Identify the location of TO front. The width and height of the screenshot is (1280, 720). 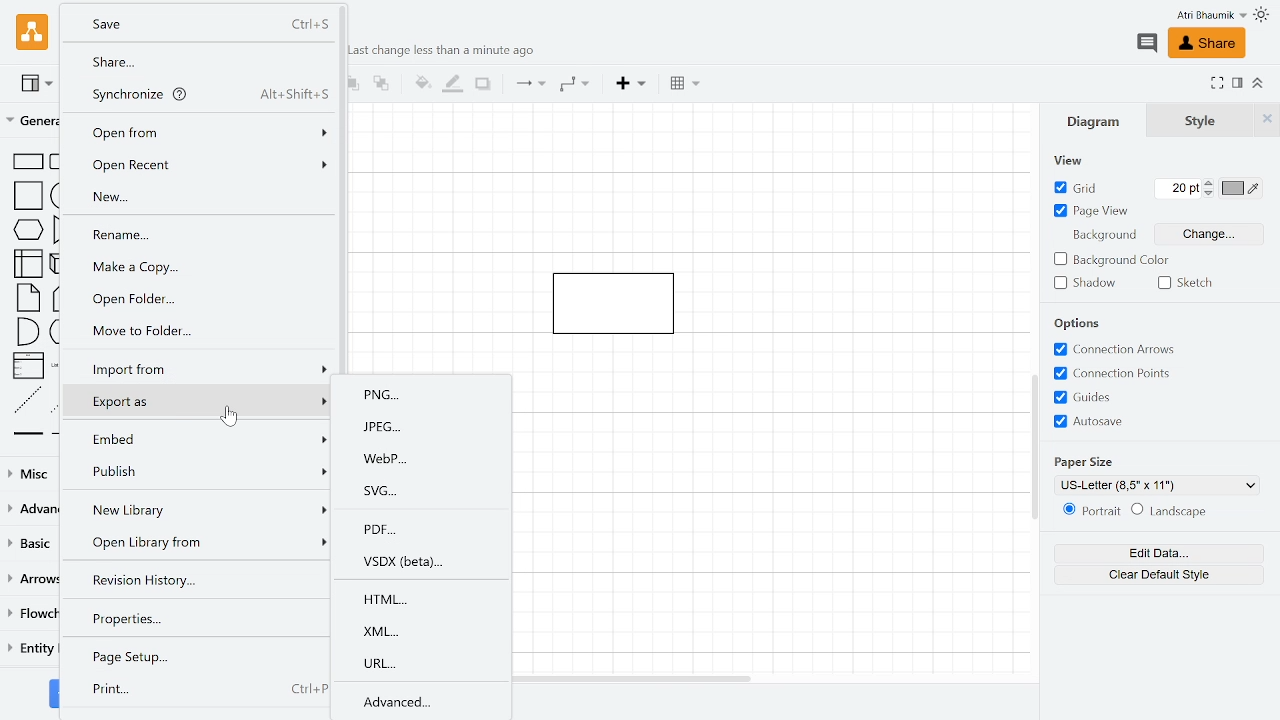
(352, 85).